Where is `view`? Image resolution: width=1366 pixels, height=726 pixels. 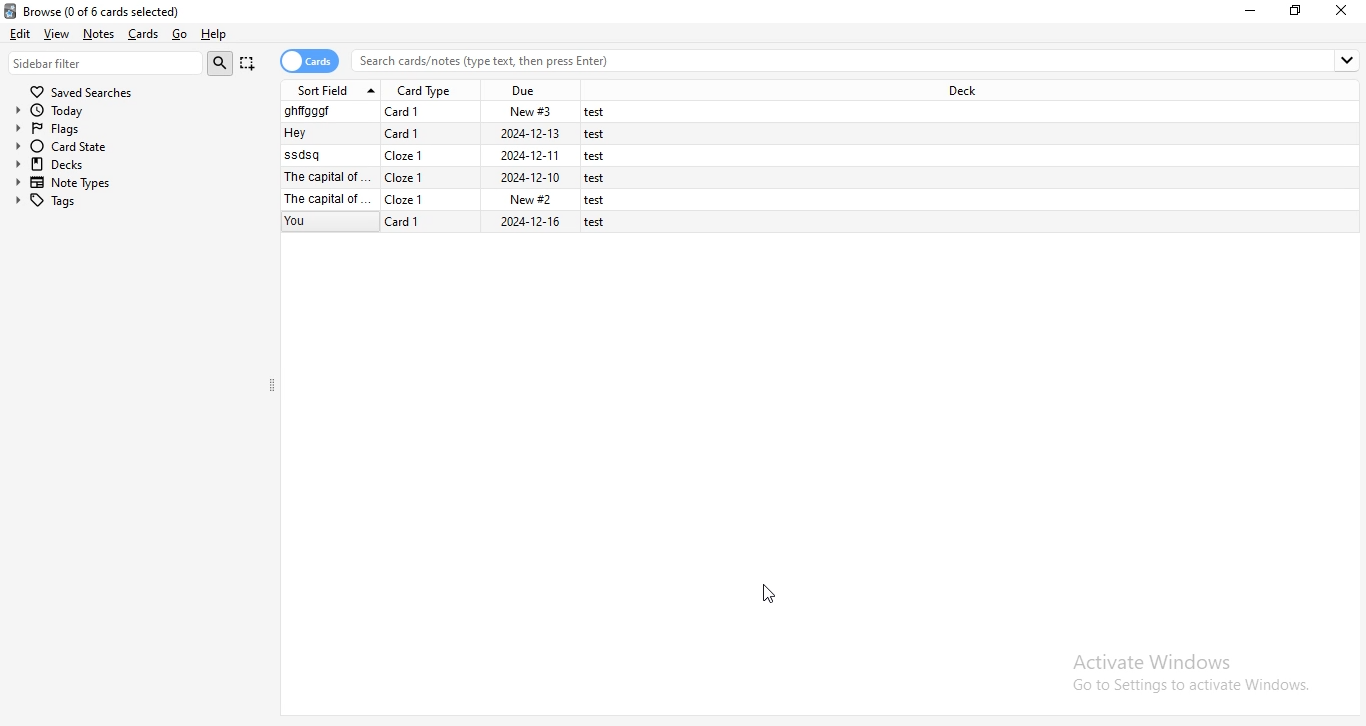
view is located at coordinates (57, 33).